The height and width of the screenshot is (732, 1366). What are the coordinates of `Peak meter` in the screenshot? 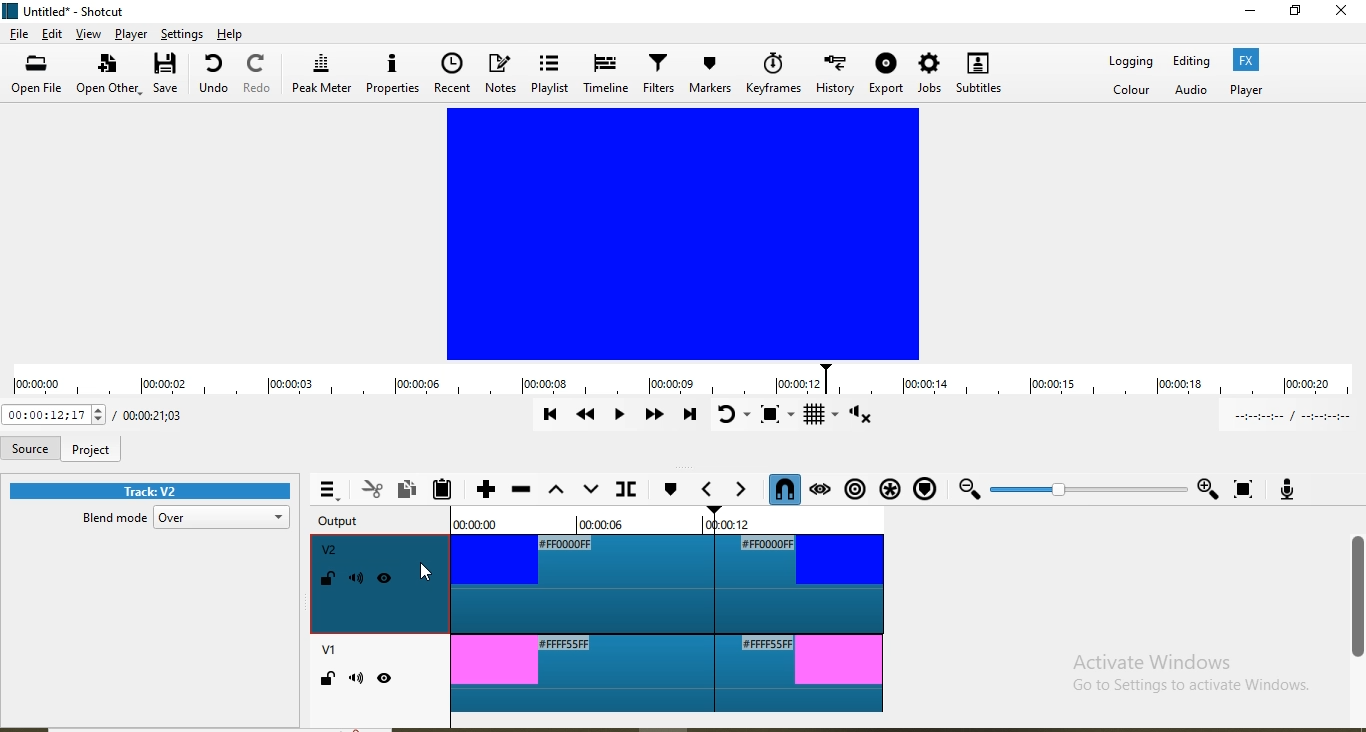 It's located at (321, 78).